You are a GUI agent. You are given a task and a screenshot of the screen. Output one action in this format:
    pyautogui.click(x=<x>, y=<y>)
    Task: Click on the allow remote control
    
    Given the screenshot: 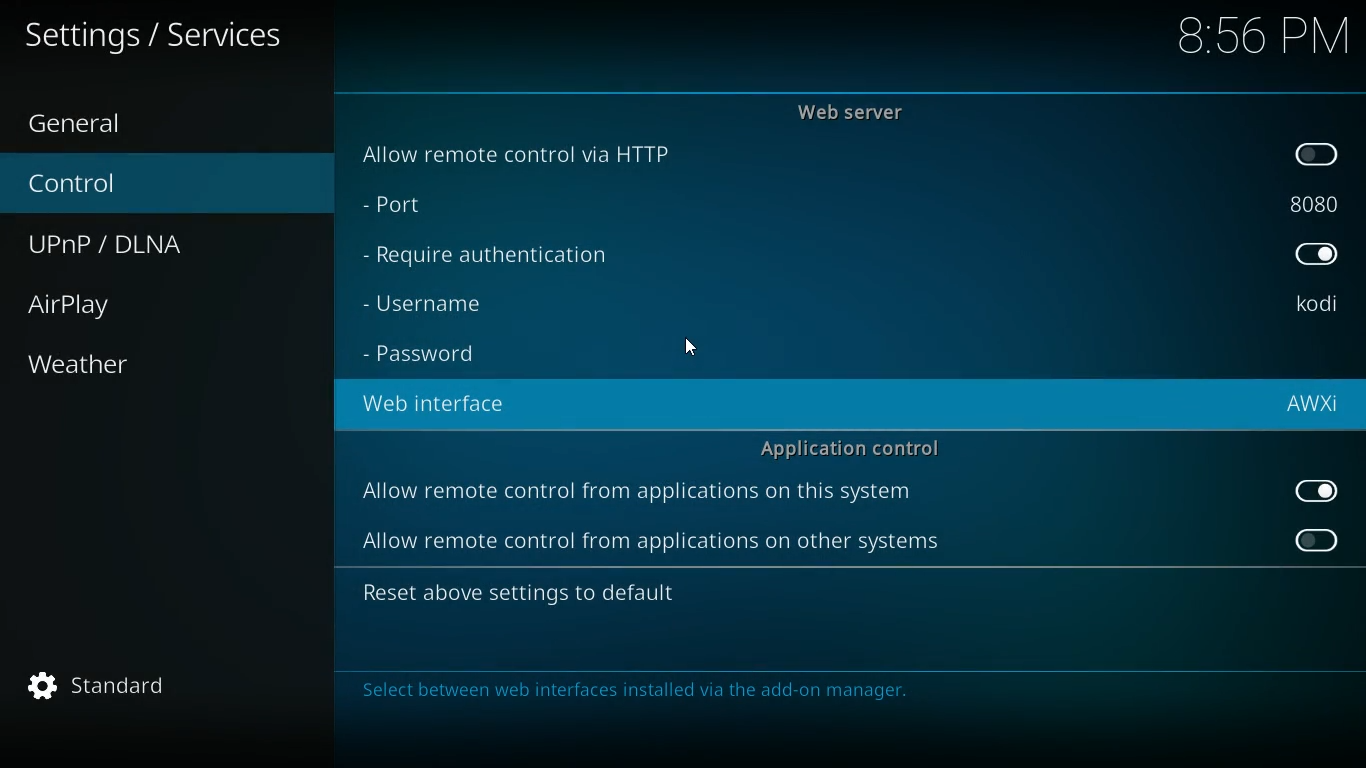 What is the action you would take?
    pyautogui.click(x=639, y=494)
    